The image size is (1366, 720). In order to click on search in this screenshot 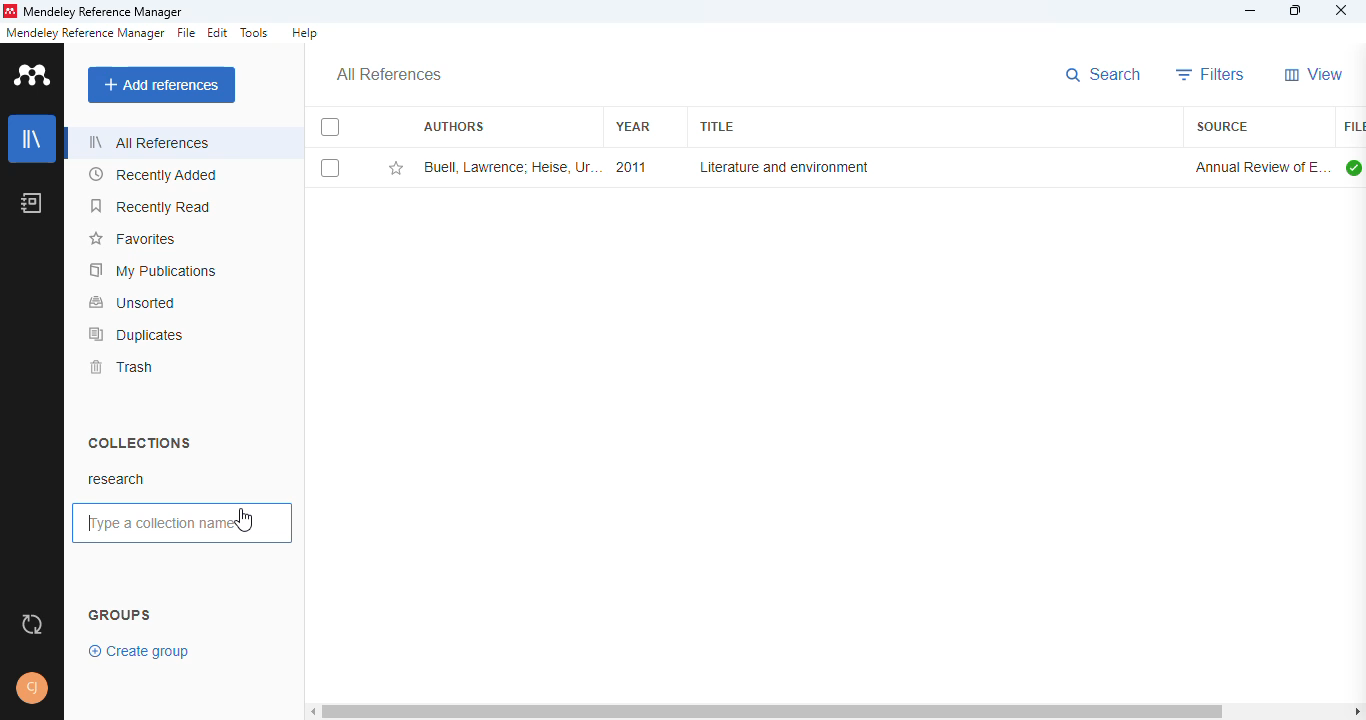, I will do `click(1104, 75)`.